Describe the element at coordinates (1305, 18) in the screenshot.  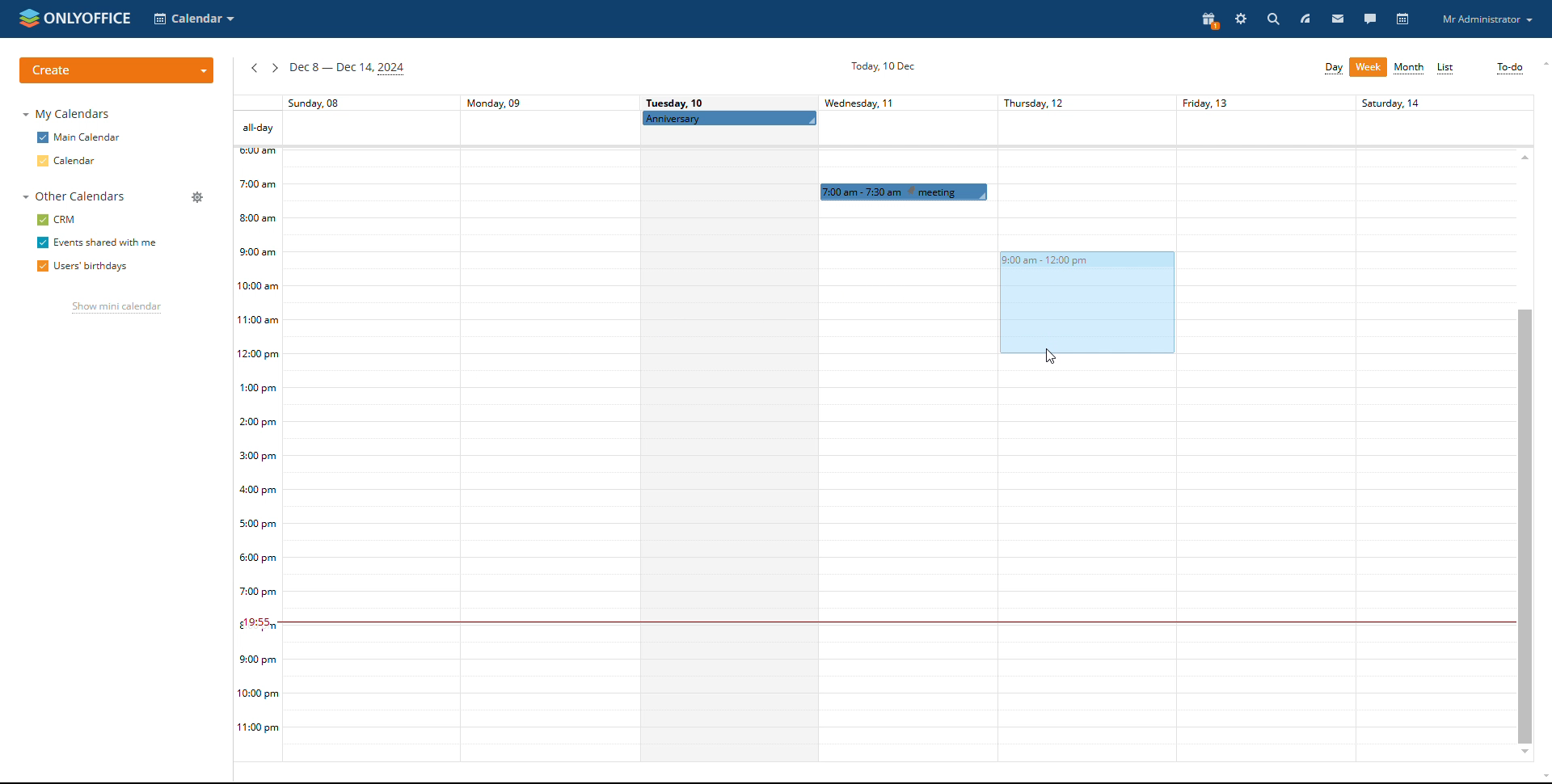
I see `feed` at that location.